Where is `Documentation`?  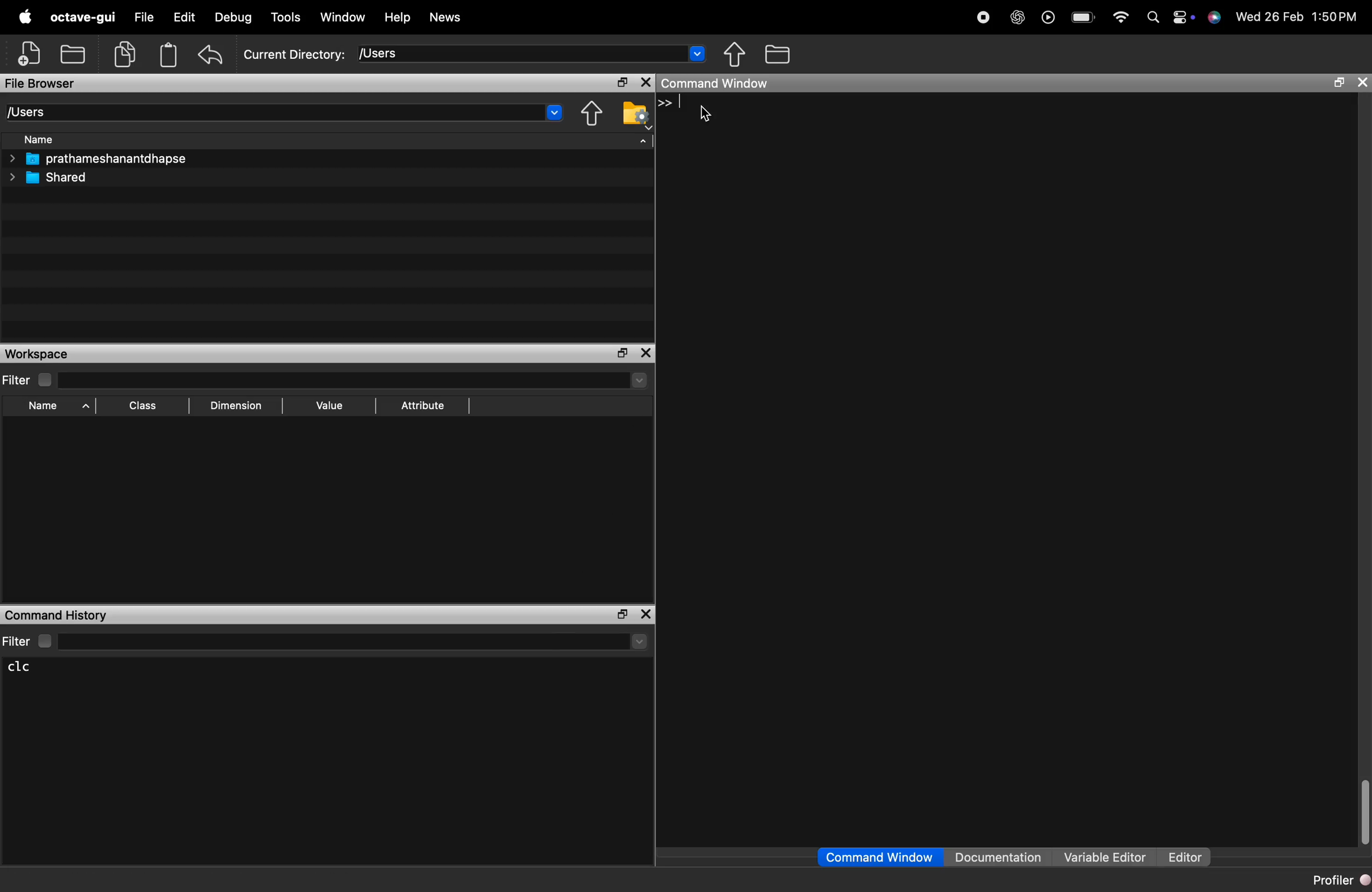 Documentation is located at coordinates (1002, 857).